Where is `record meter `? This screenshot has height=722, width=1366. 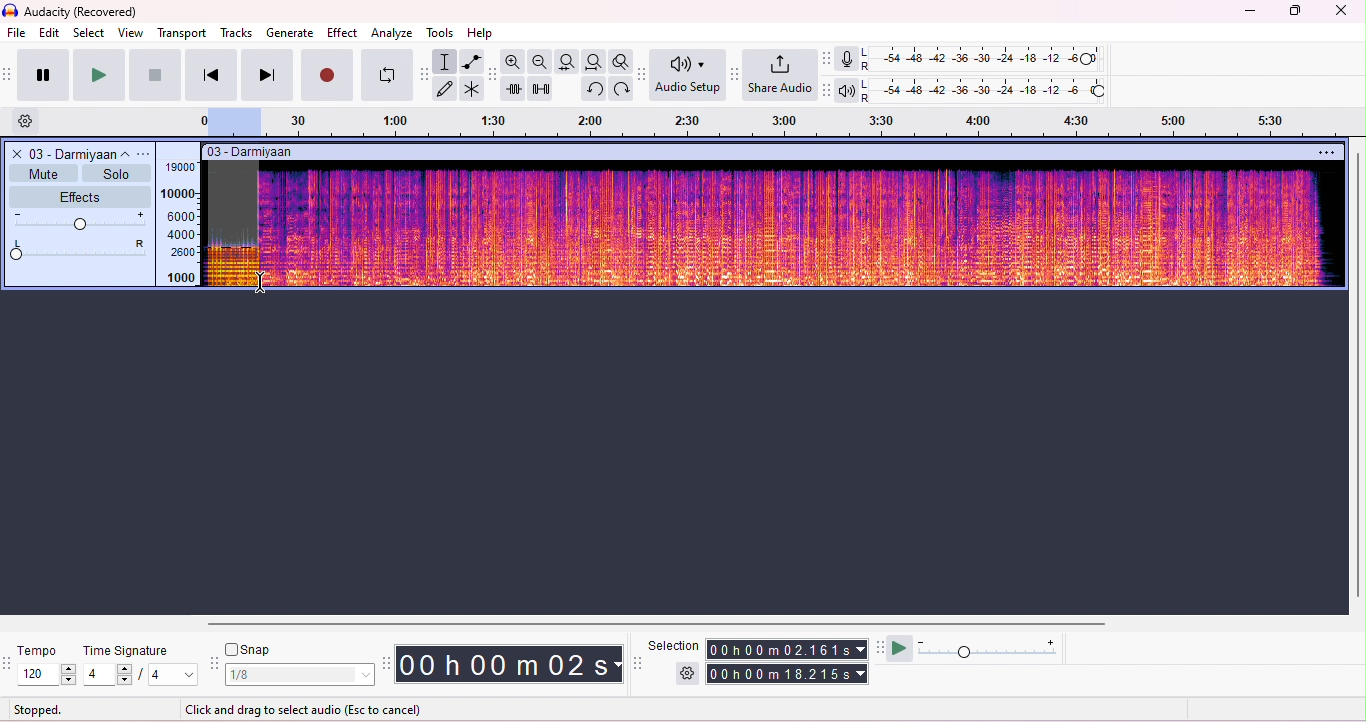 record meter  is located at coordinates (846, 59).